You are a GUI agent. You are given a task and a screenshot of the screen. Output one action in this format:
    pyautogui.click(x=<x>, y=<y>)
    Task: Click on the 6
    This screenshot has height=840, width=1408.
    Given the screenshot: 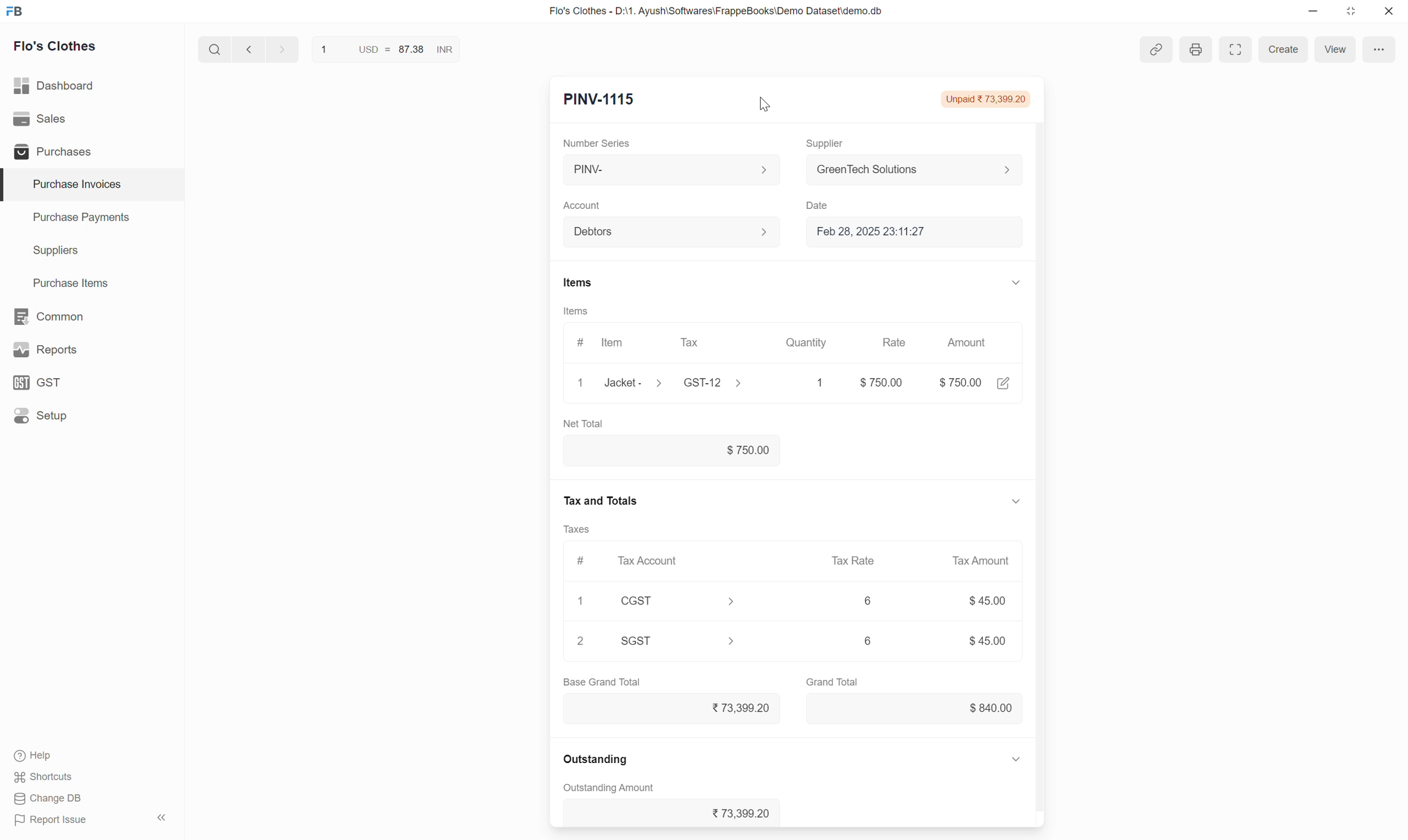 What is the action you would take?
    pyautogui.click(x=869, y=599)
    